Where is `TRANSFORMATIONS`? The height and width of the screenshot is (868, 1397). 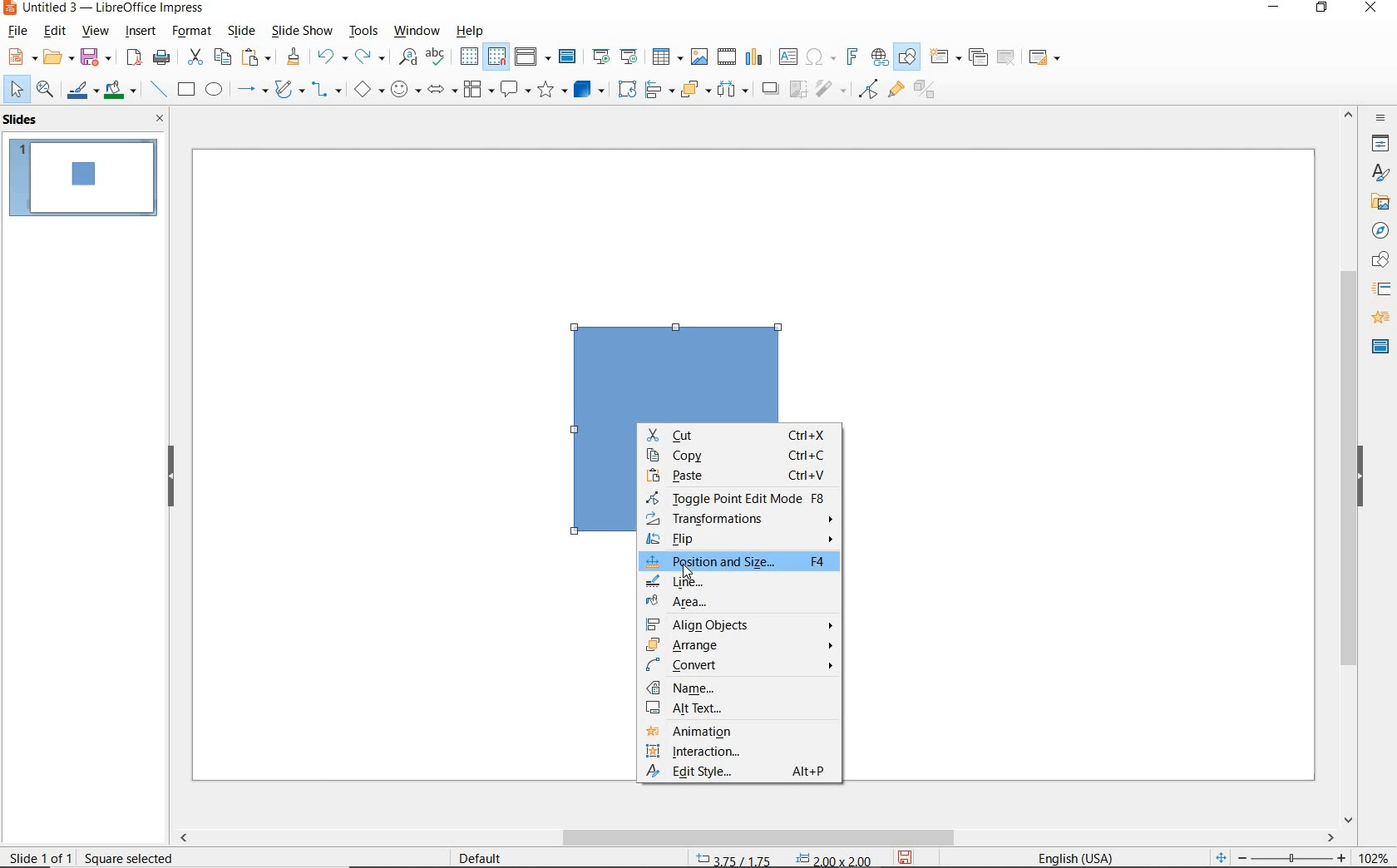 TRANSFORMATIONS is located at coordinates (741, 521).